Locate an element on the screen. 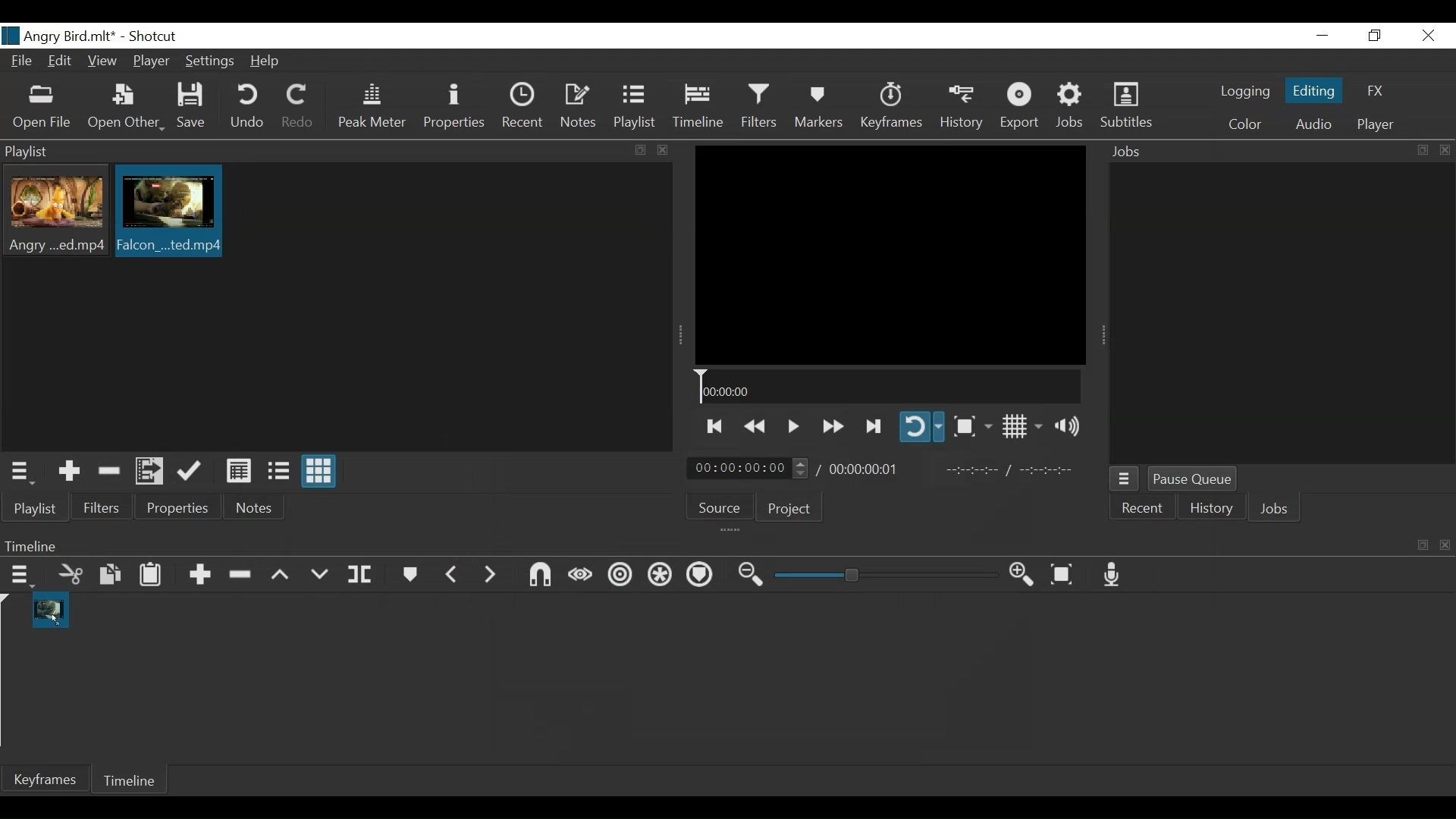 The height and width of the screenshot is (819, 1456). Playlist is located at coordinates (635, 106).